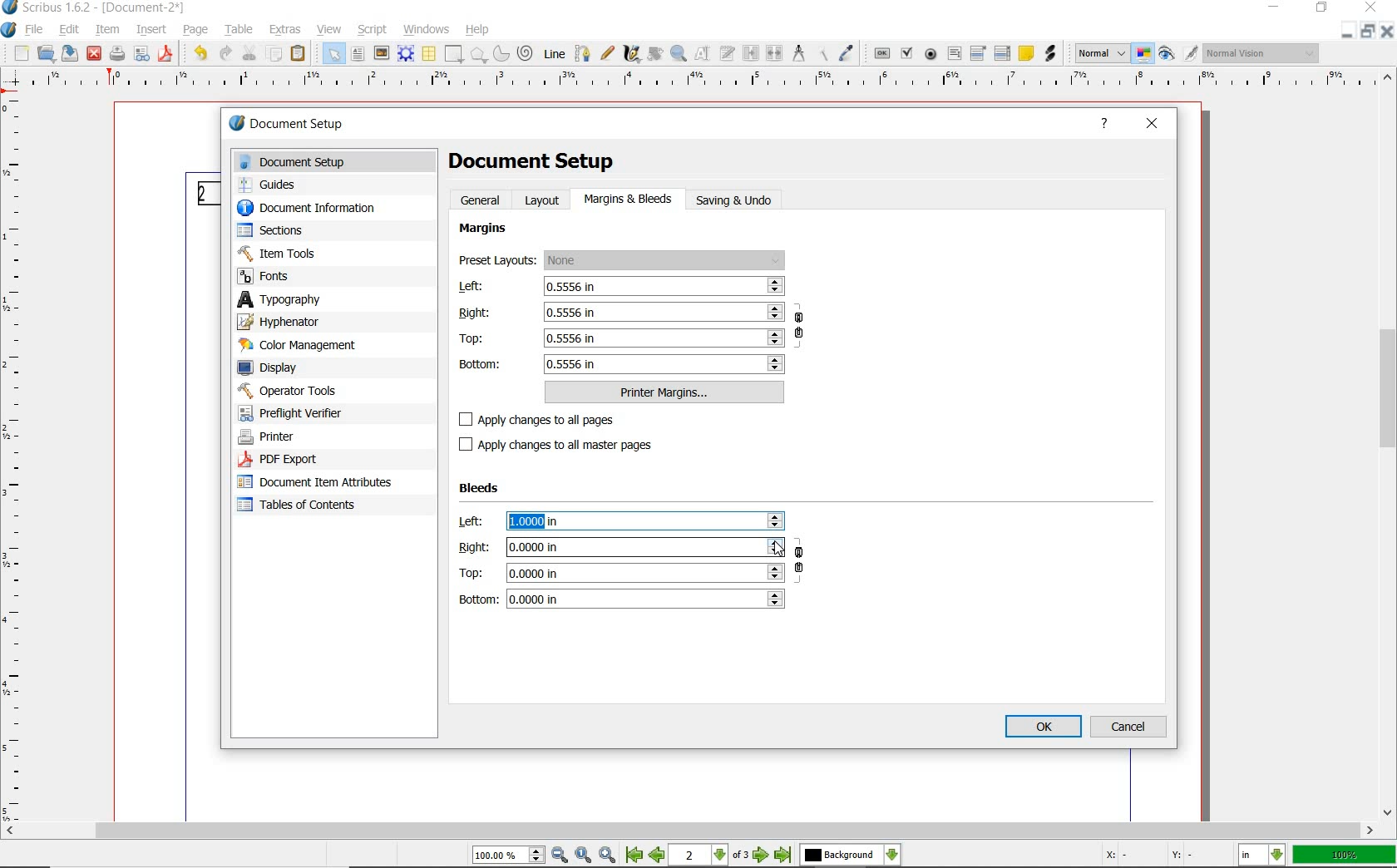 Image resolution: width=1397 pixels, height=868 pixels. Describe the element at coordinates (633, 54) in the screenshot. I see `calligraphic line` at that location.